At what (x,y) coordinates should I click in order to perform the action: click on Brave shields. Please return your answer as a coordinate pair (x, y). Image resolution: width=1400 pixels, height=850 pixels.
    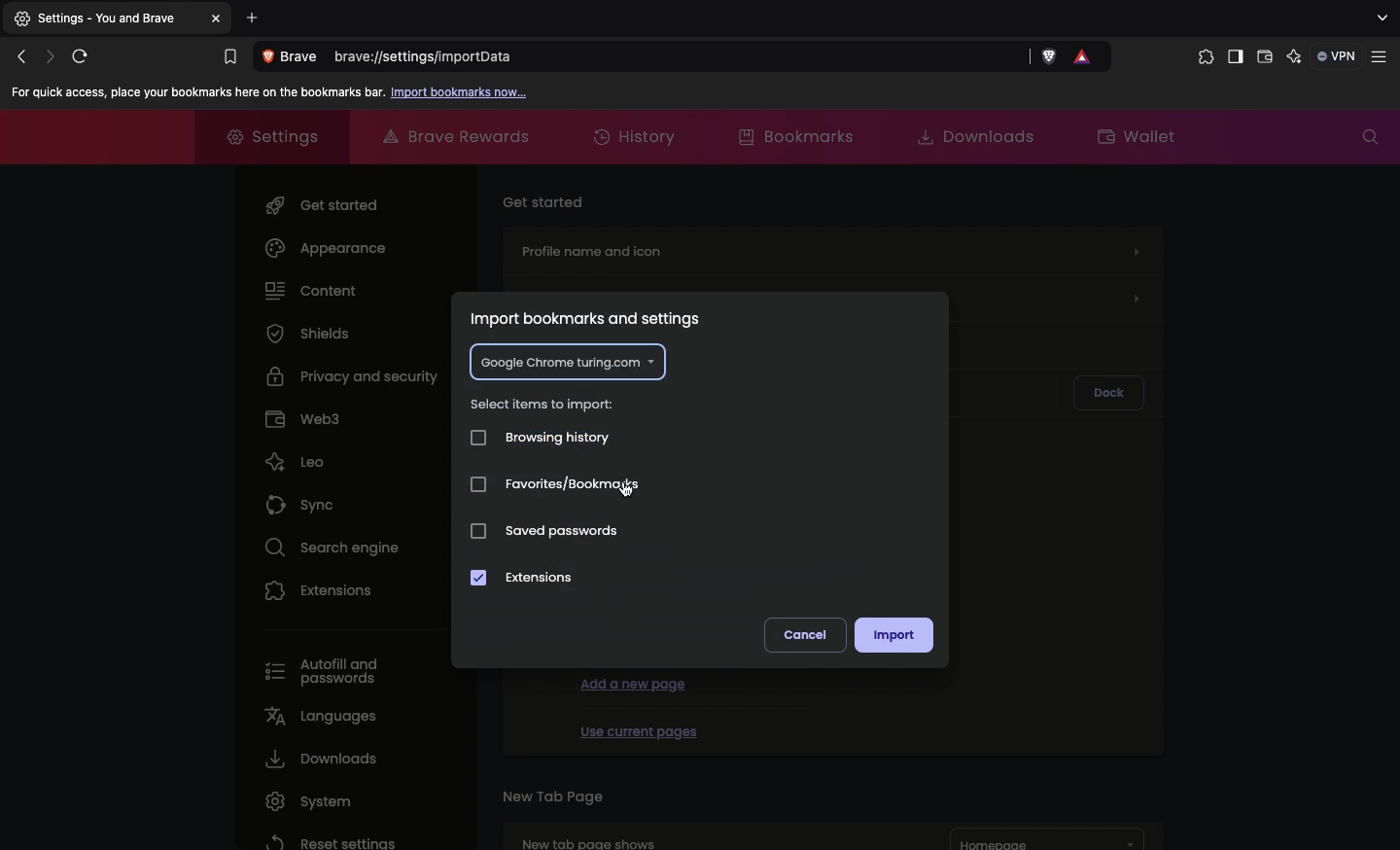
    Looking at the image, I should click on (1050, 57).